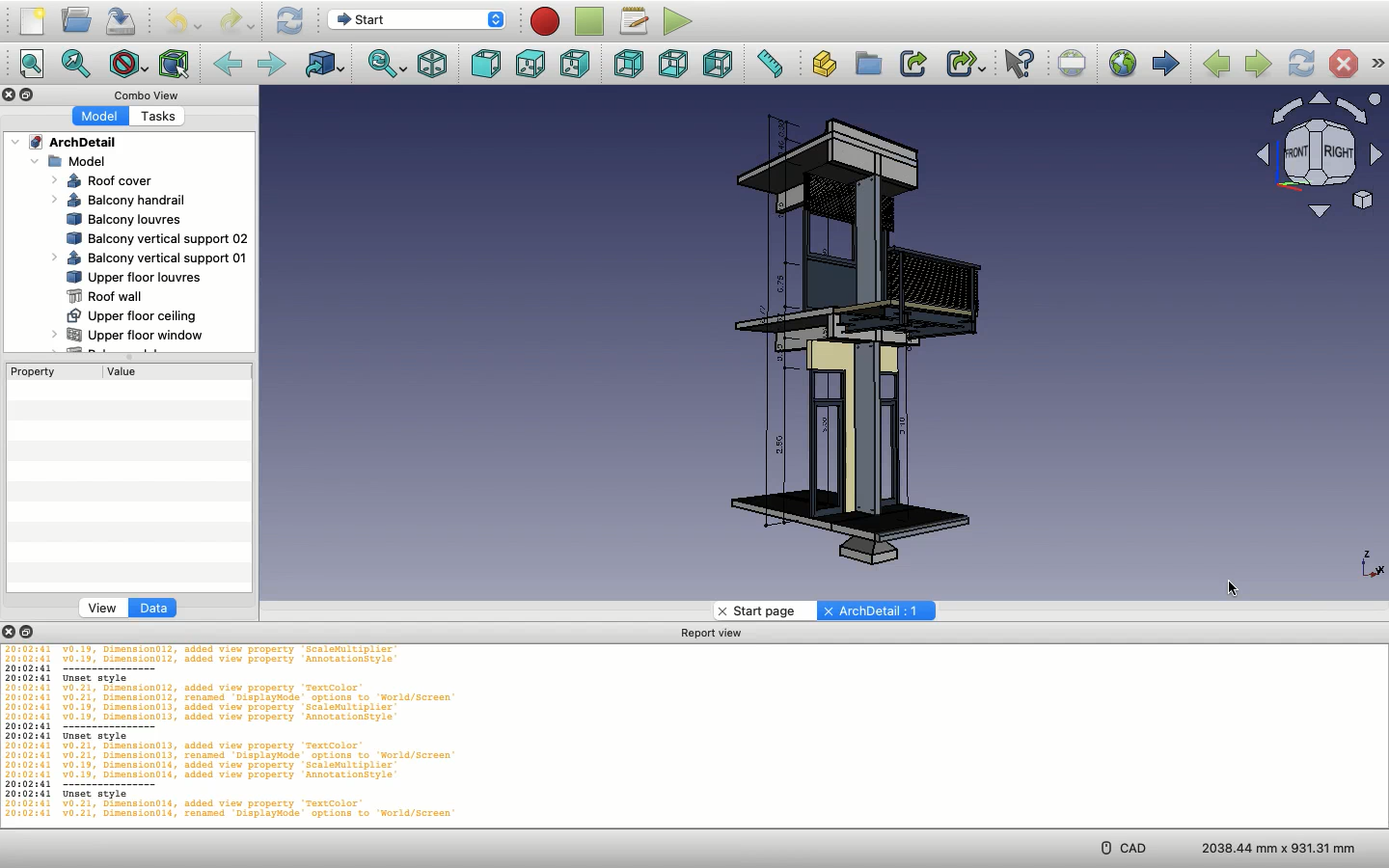 This screenshot has height=868, width=1389. What do you see at coordinates (135, 336) in the screenshot?
I see `Upper floor window` at bounding box center [135, 336].